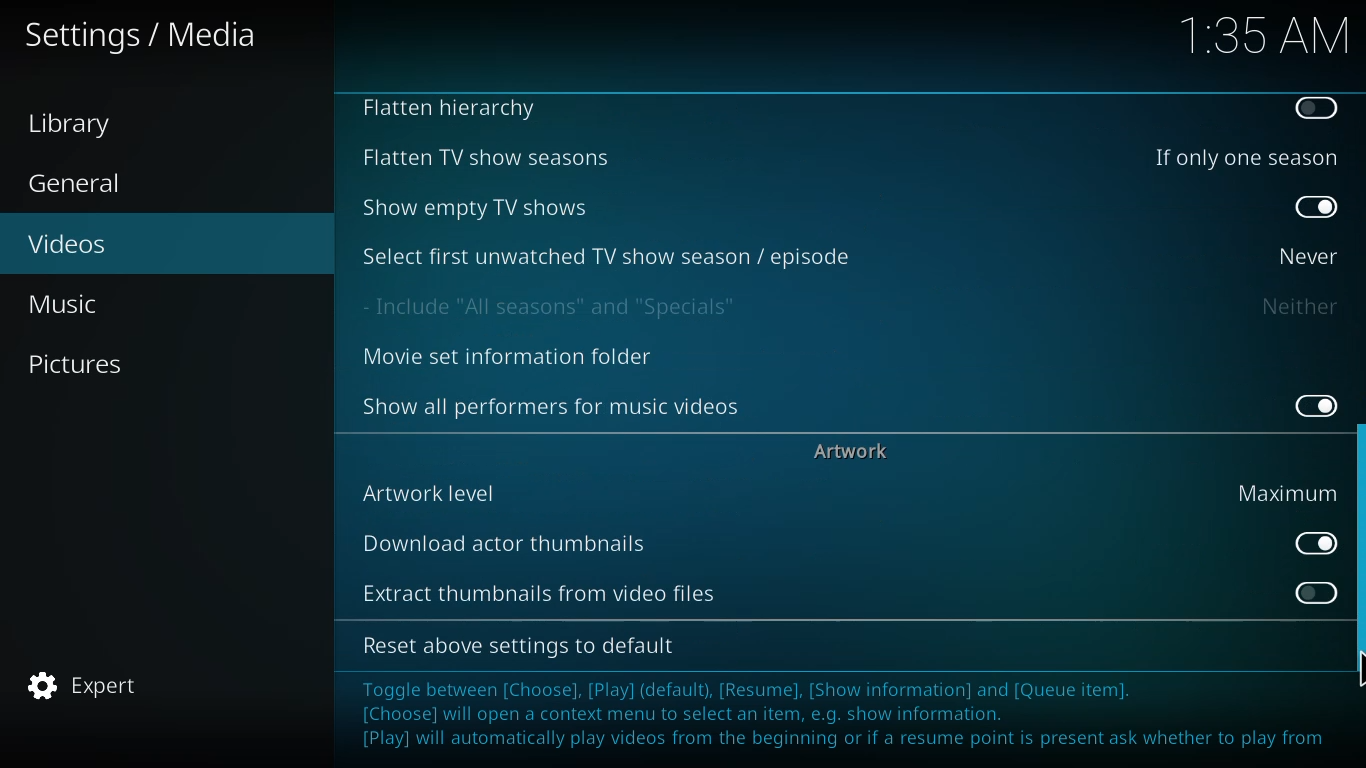  I want to click on DRAG_TO Cursor, so click(1357, 669).